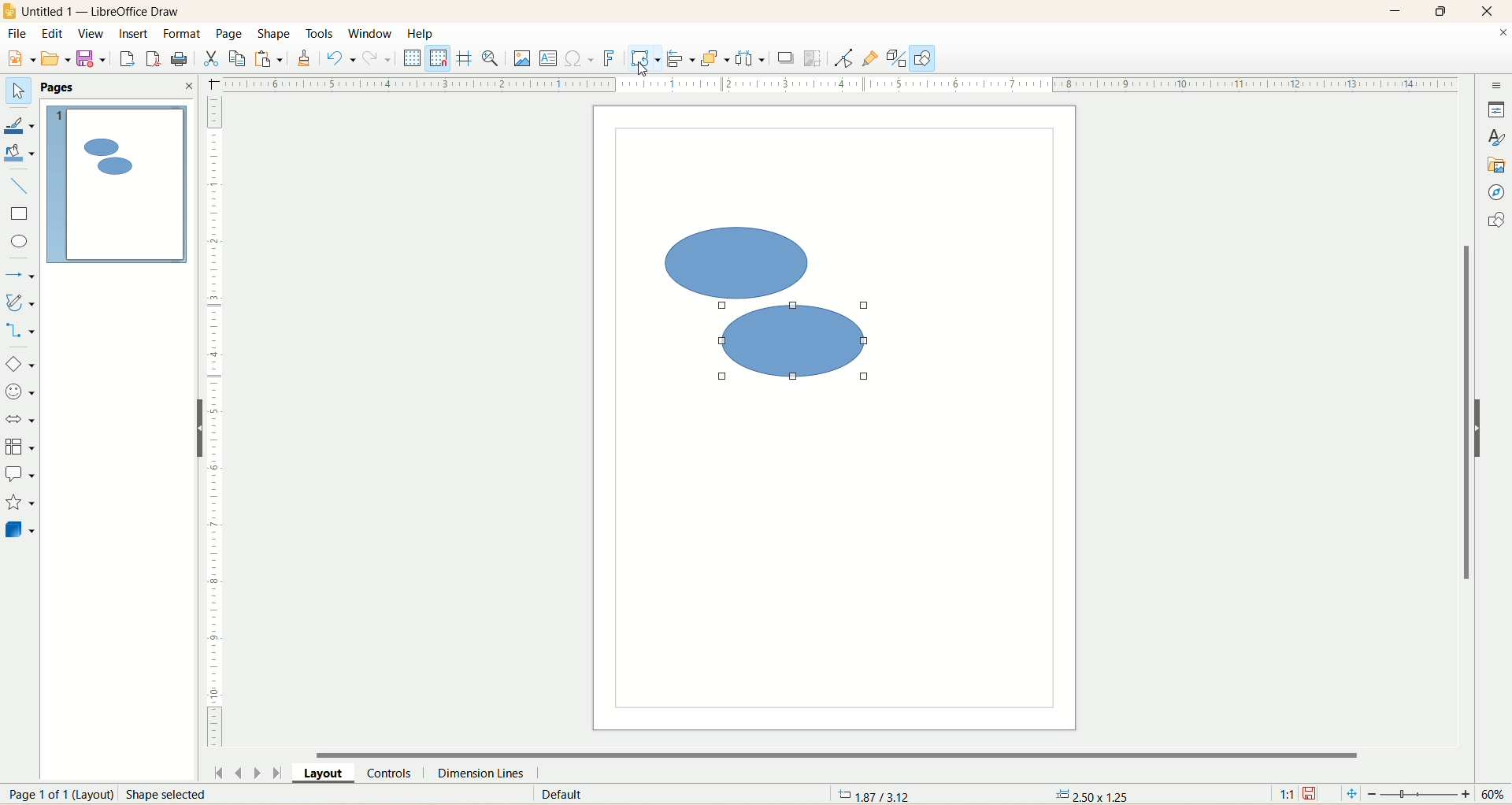 This screenshot has height=805, width=1512. What do you see at coordinates (547, 58) in the screenshot?
I see `insert textbox` at bounding box center [547, 58].